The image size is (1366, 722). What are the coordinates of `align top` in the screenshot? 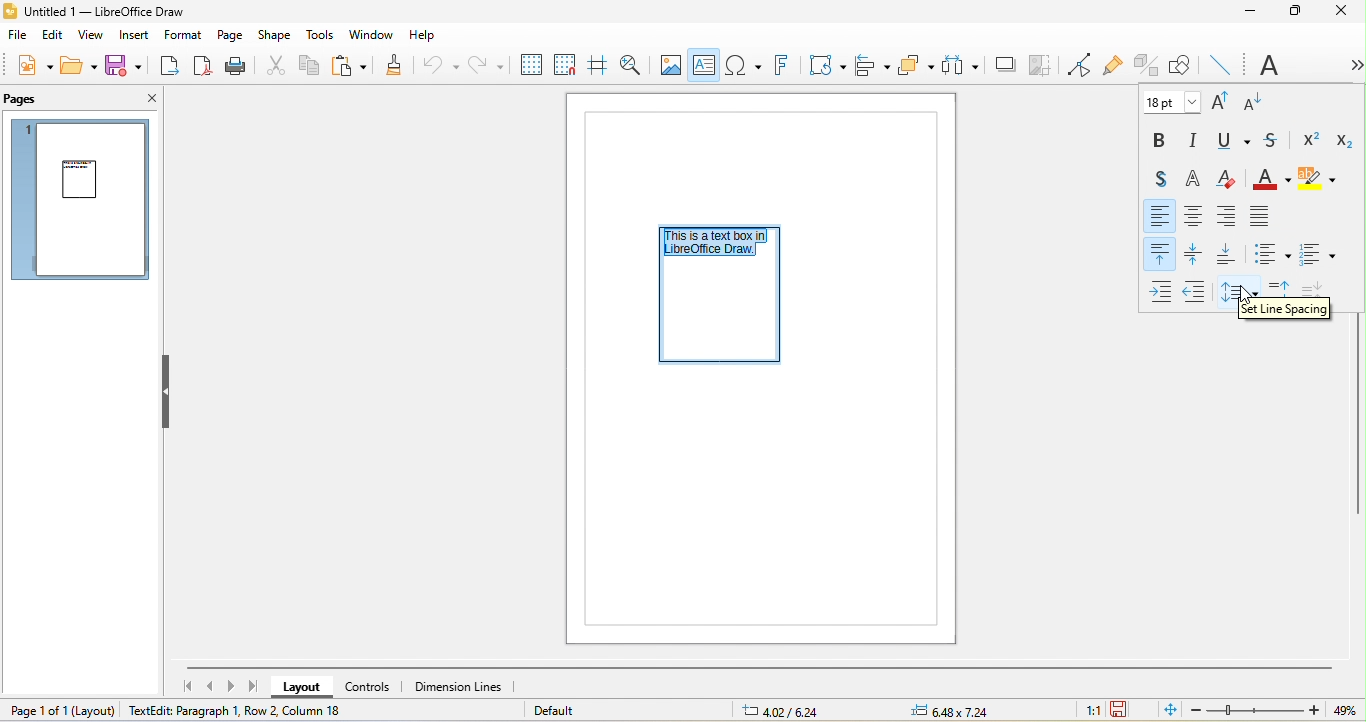 It's located at (1160, 253).